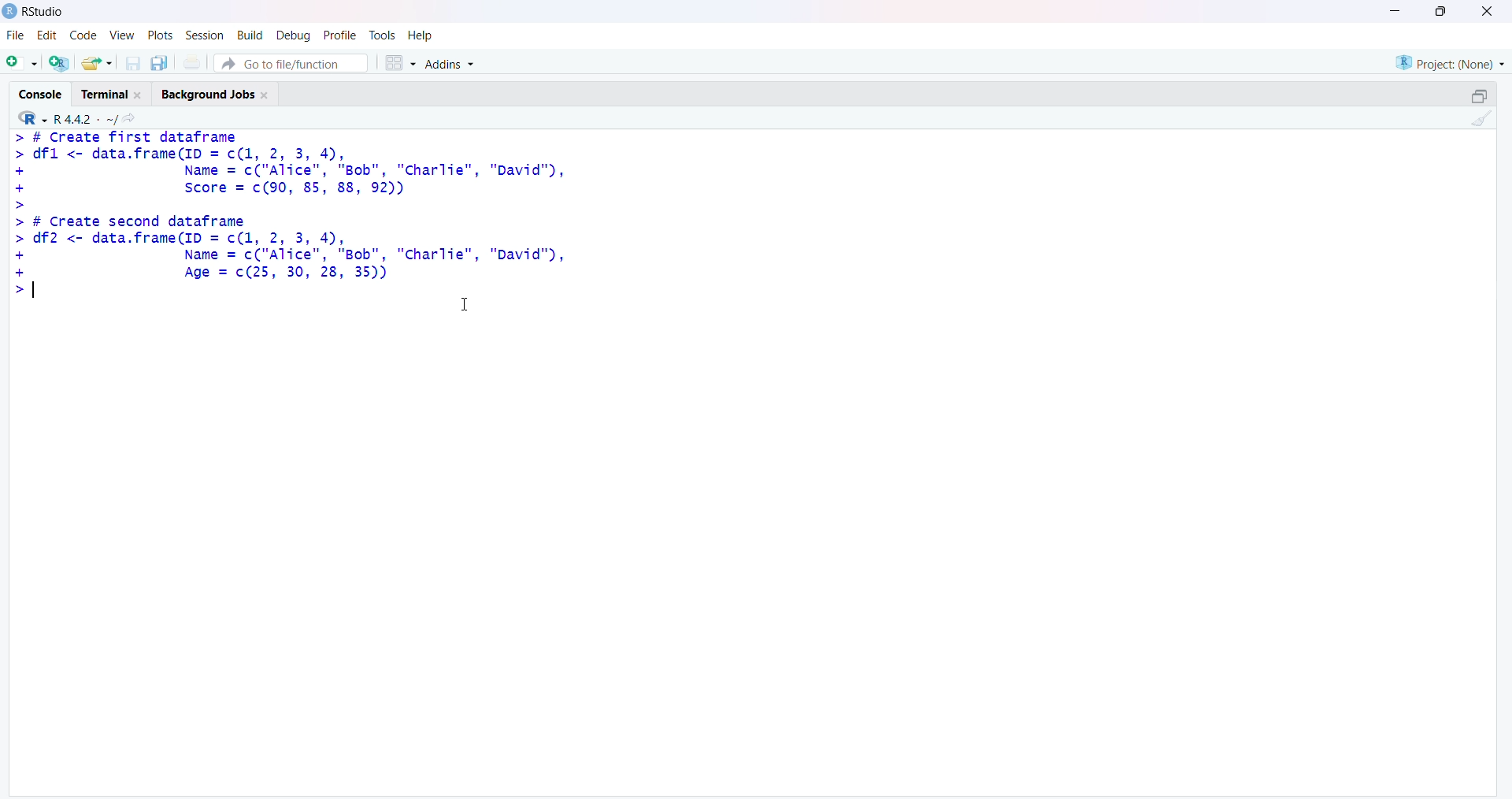  What do you see at coordinates (45, 12) in the screenshot?
I see `RStudio` at bounding box center [45, 12].